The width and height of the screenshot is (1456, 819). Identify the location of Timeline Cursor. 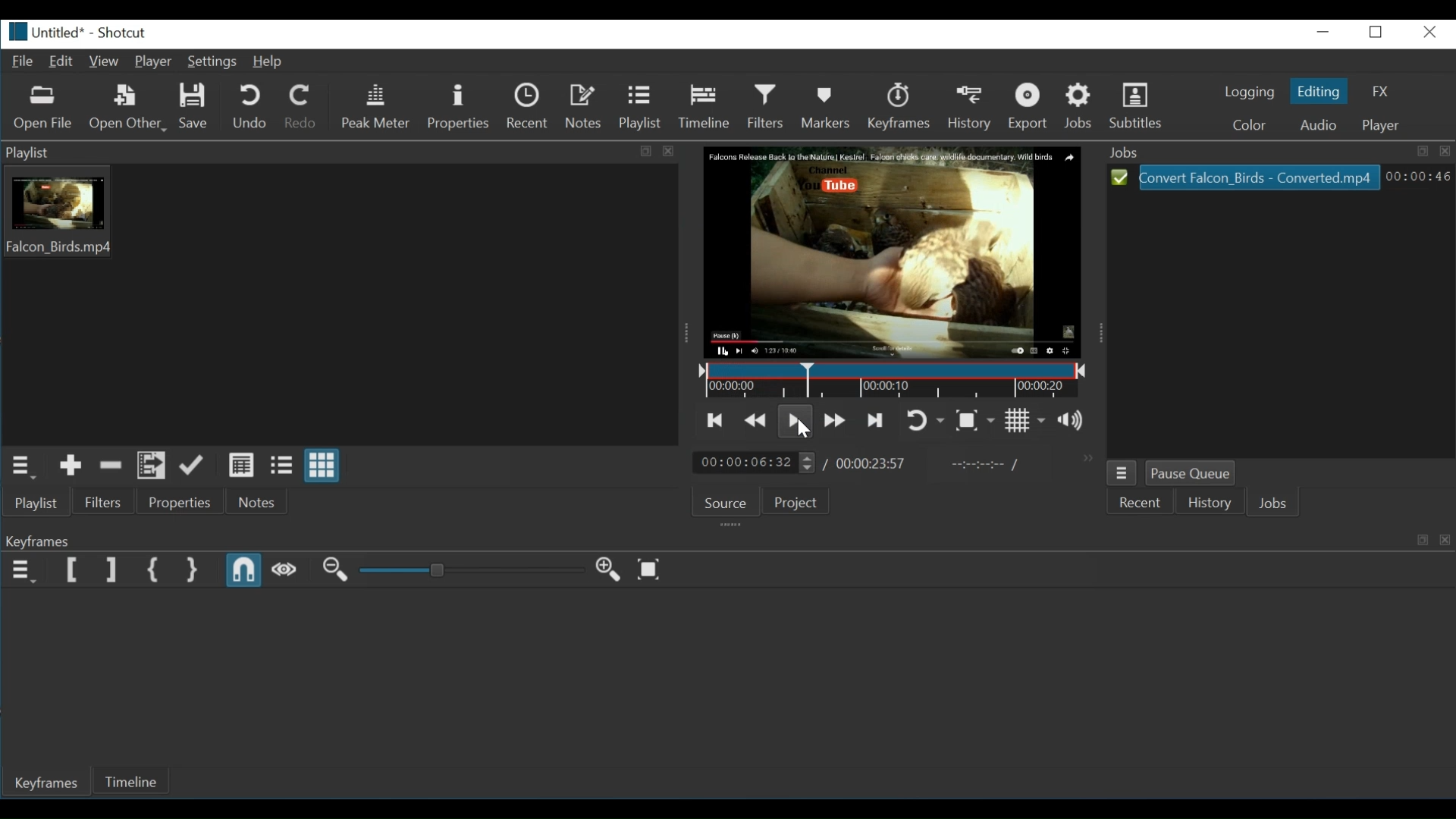
(808, 379).